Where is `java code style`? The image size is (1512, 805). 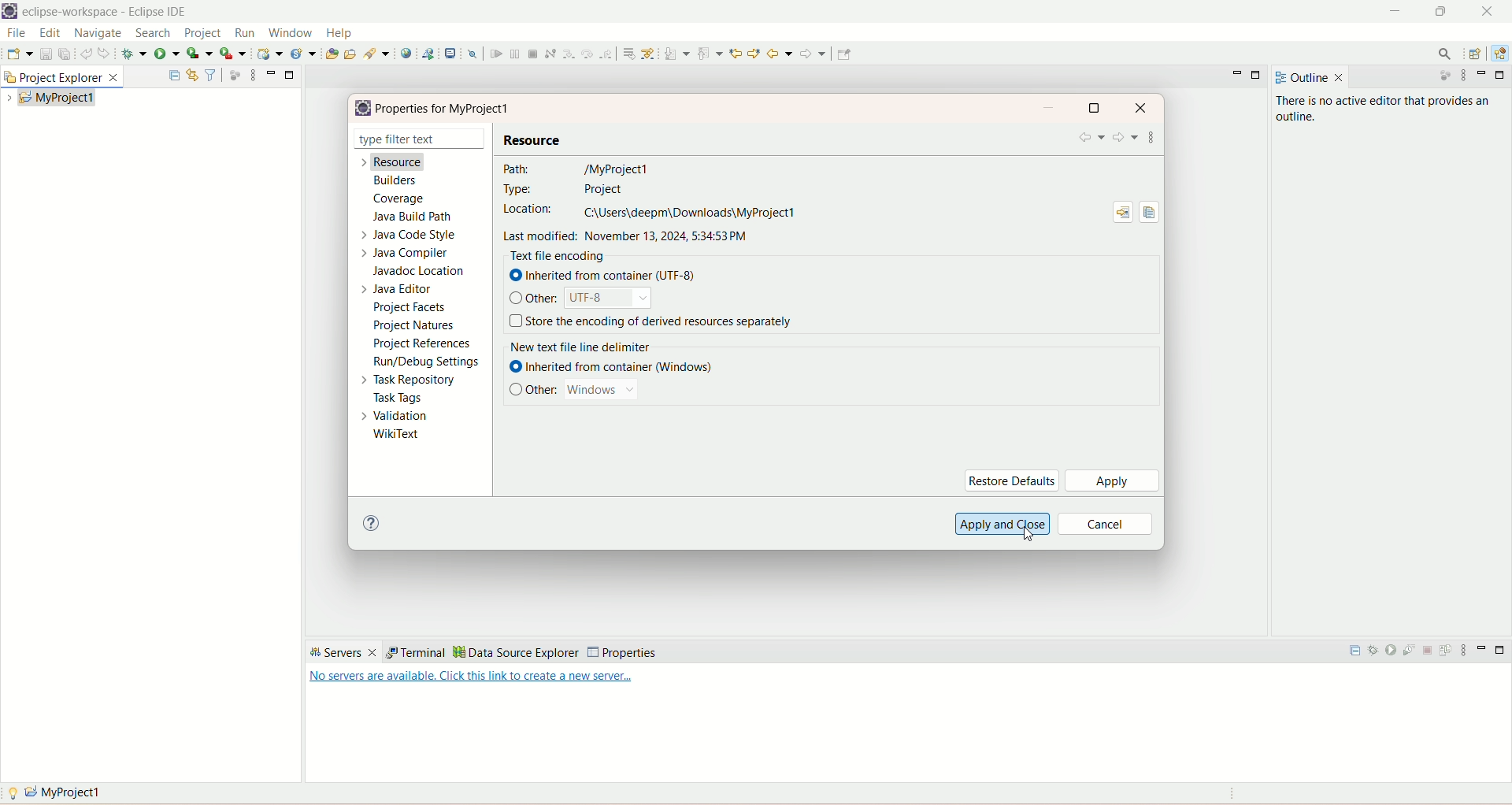
java code style is located at coordinates (406, 235).